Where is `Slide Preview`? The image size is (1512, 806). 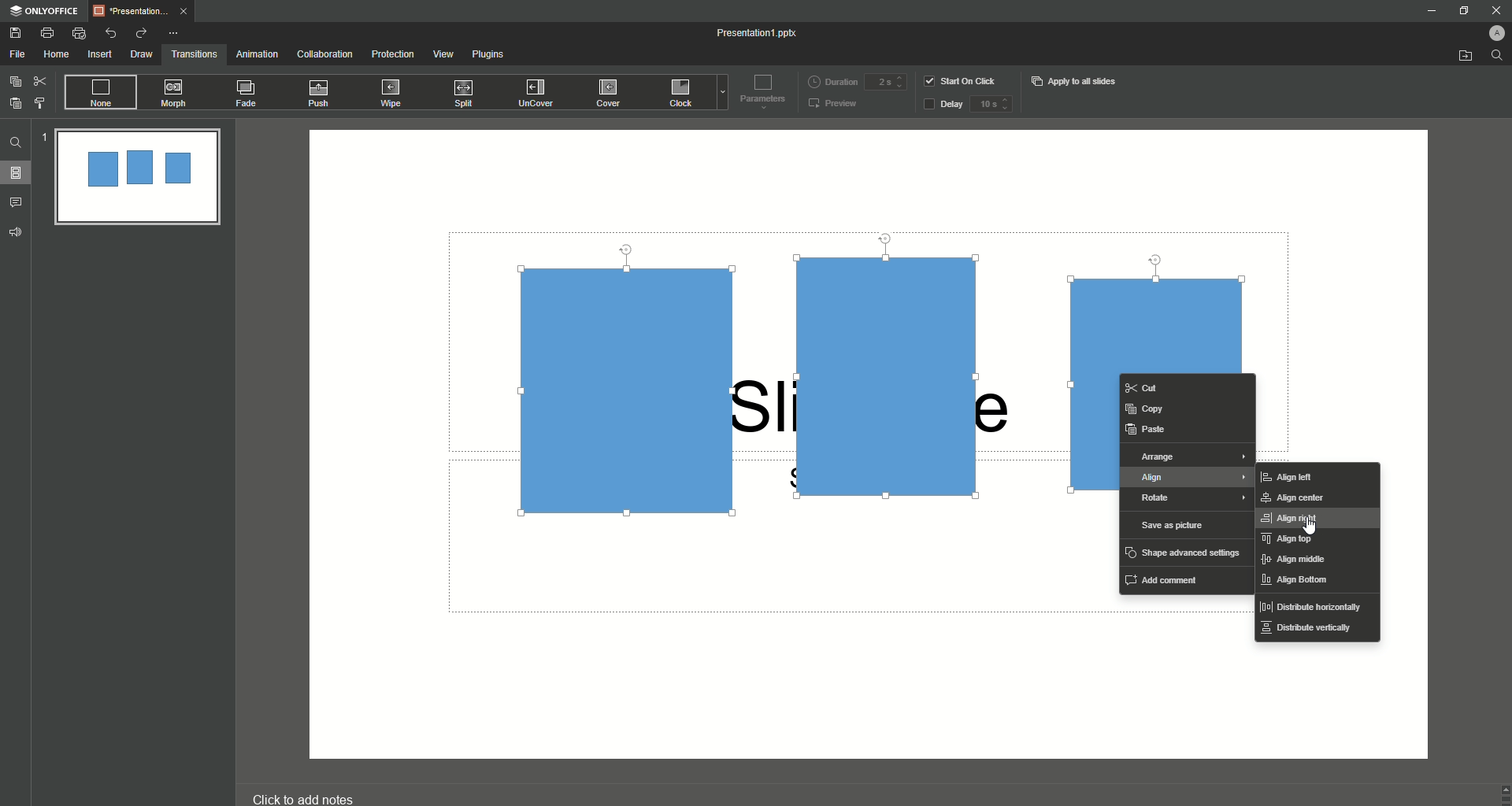 Slide Preview is located at coordinates (136, 179).